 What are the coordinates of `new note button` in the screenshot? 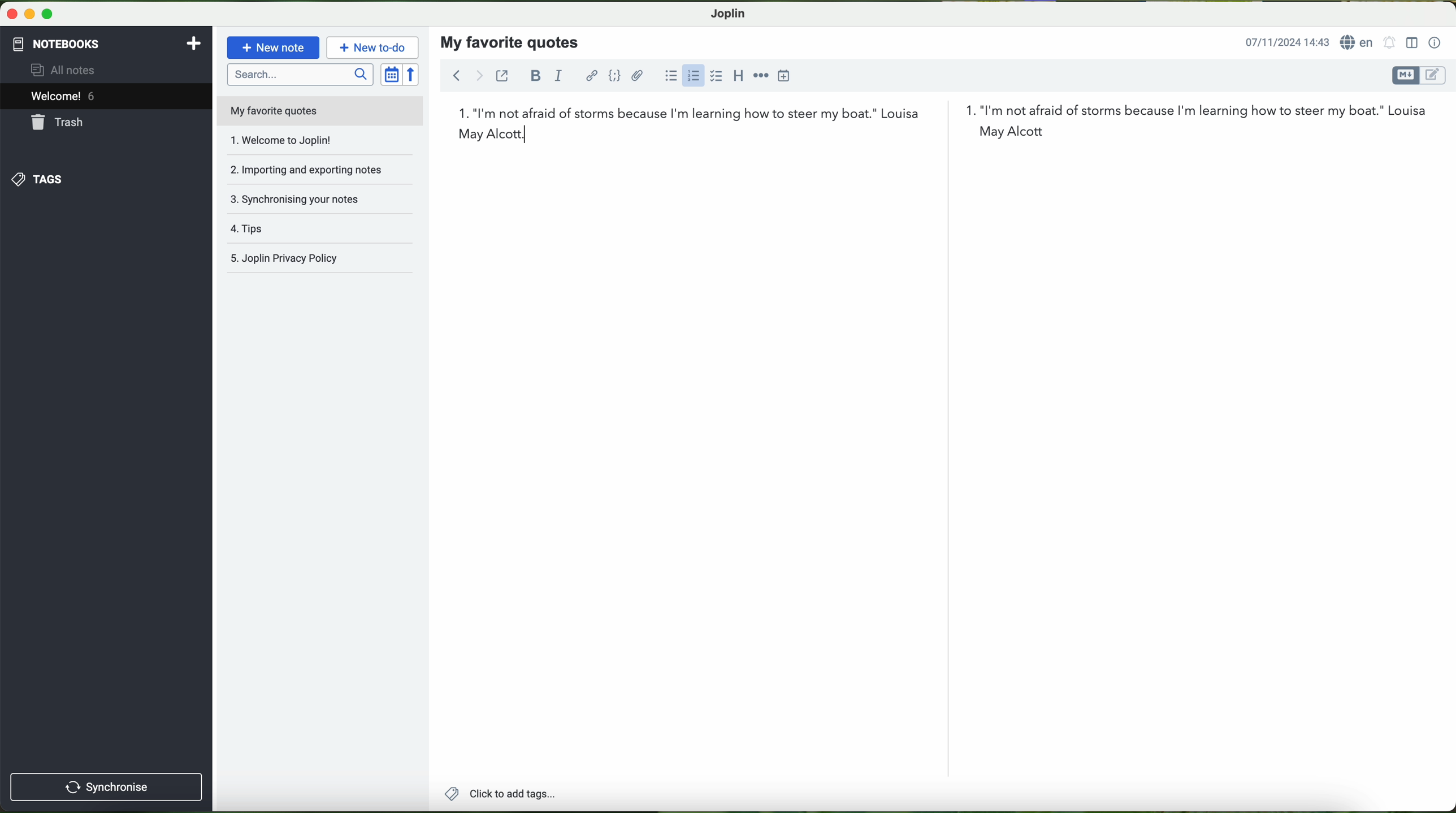 It's located at (274, 47).